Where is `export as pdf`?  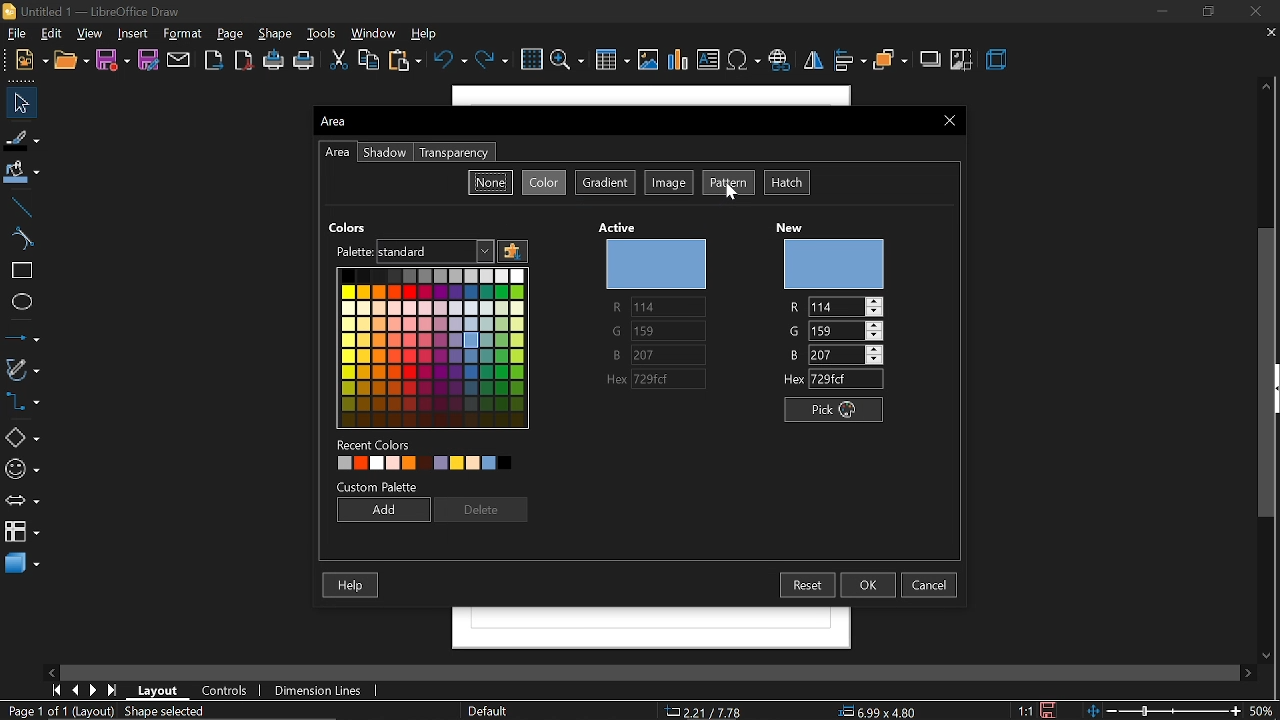 export as pdf is located at coordinates (243, 60).